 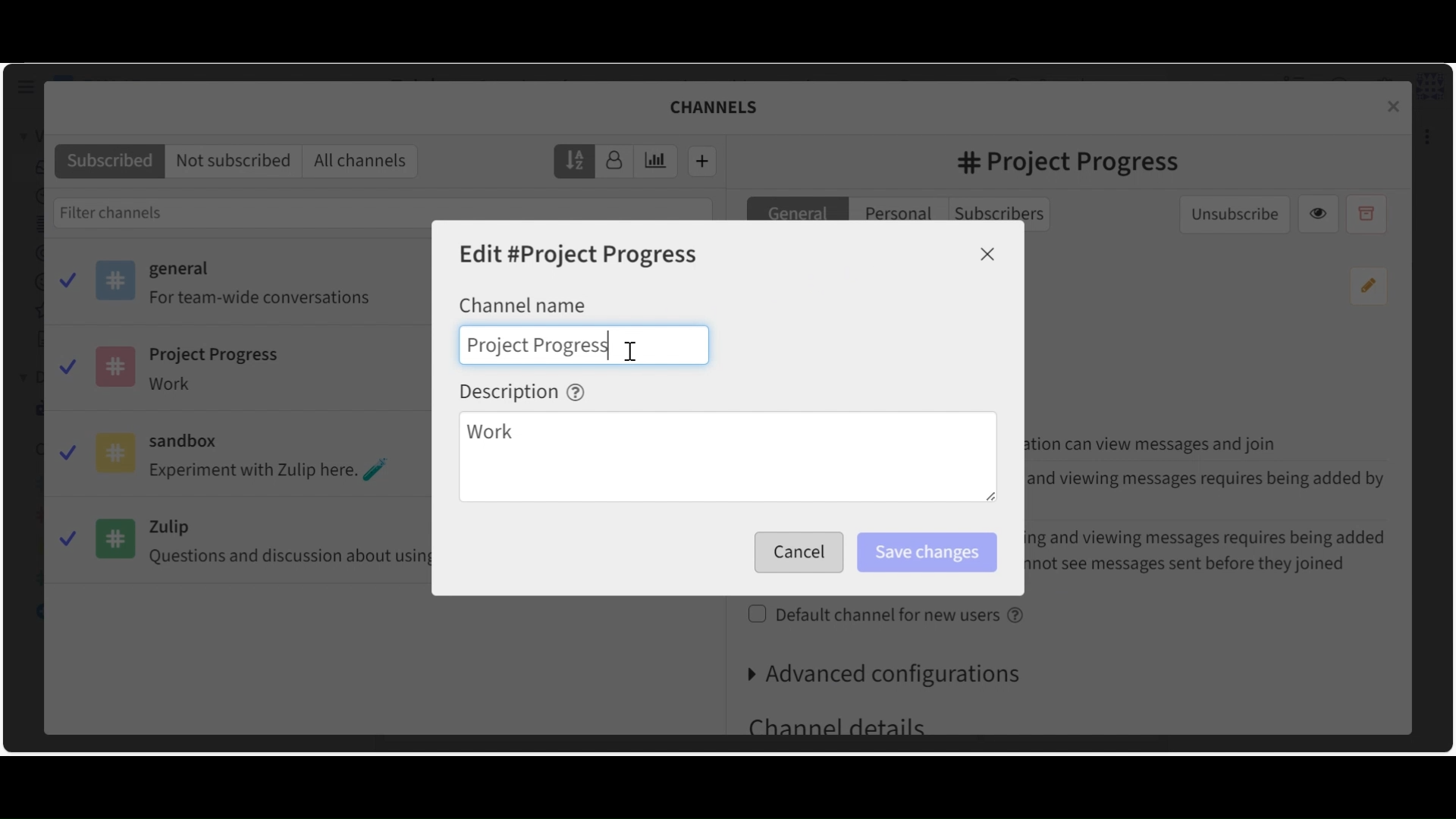 What do you see at coordinates (584, 344) in the screenshot?
I see `Channel name Field` at bounding box center [584, 344].